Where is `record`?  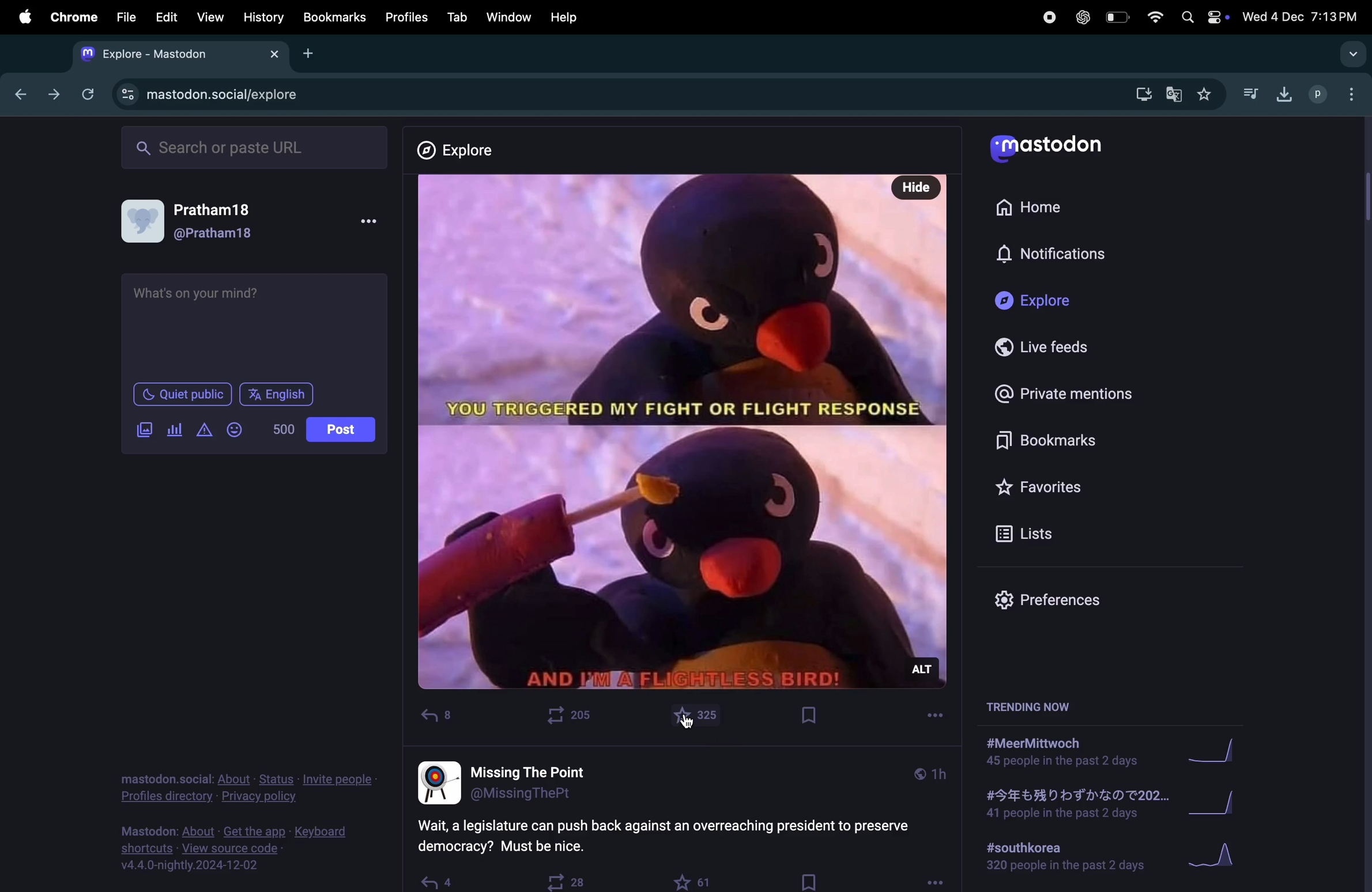
record is located at coordinates (1050, 17).